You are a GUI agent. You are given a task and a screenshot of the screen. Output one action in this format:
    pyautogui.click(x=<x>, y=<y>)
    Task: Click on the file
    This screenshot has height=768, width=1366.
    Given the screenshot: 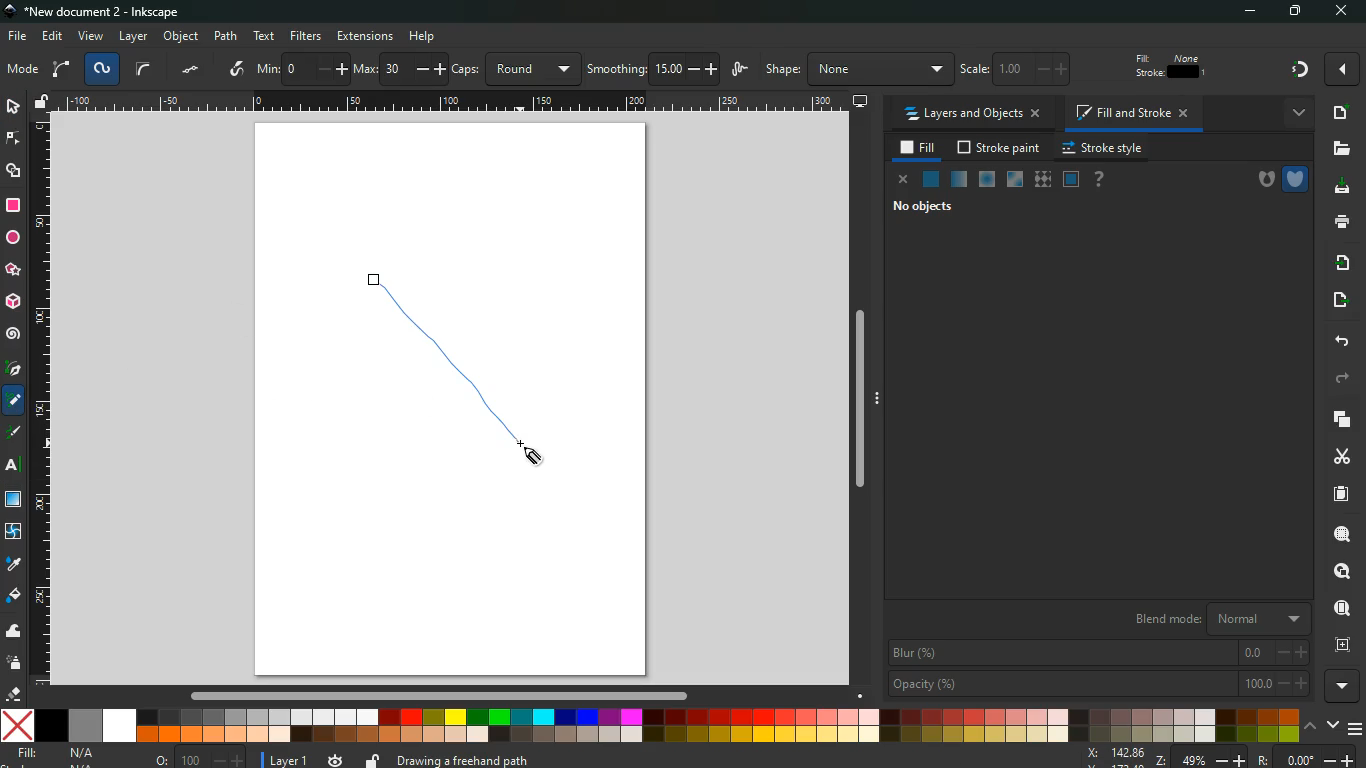 What is the action you would take?
    pyautogui.click(x=15, y=38)
    